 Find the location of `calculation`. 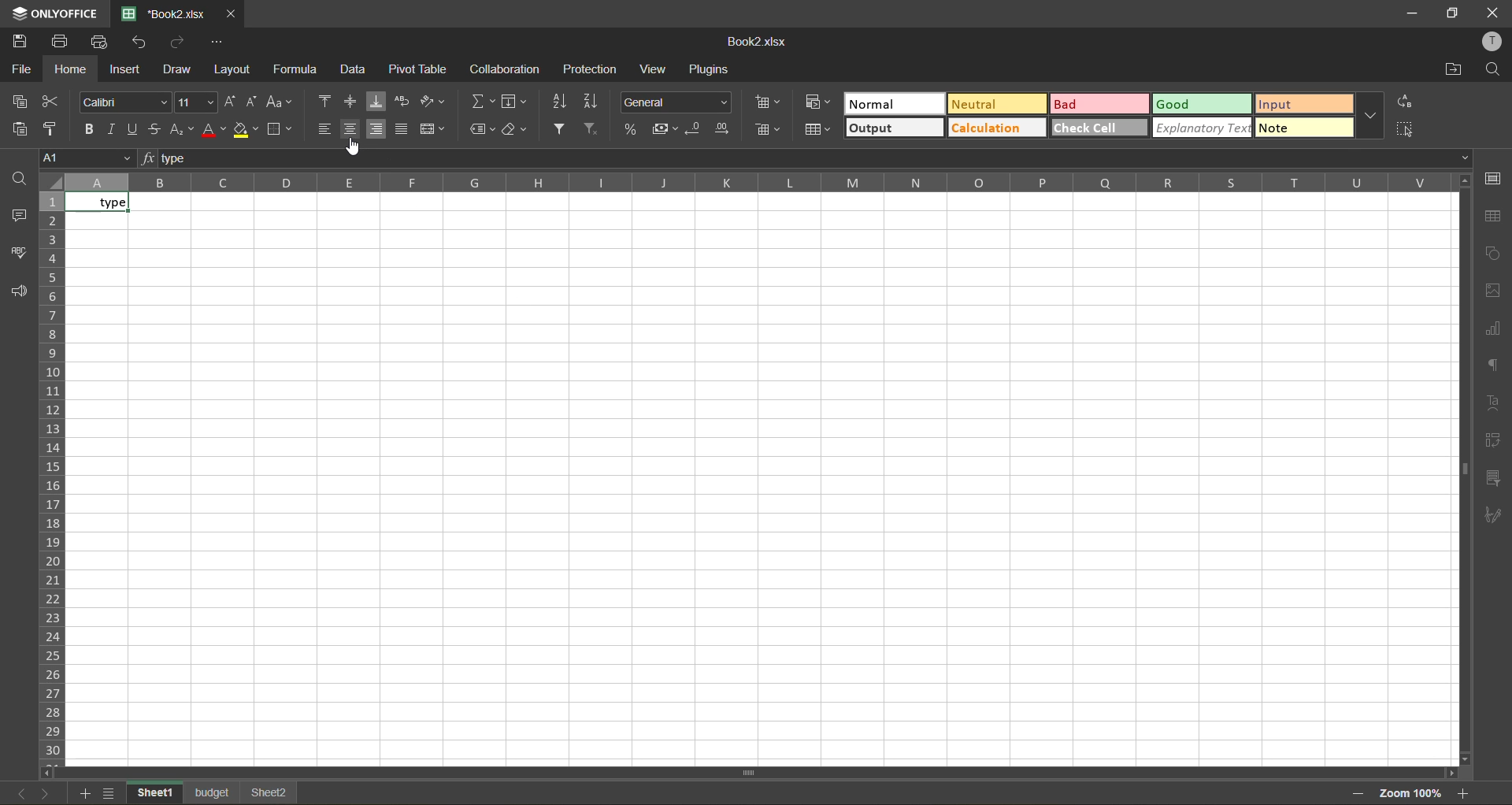

calculation is located at coordinates (995, 129).